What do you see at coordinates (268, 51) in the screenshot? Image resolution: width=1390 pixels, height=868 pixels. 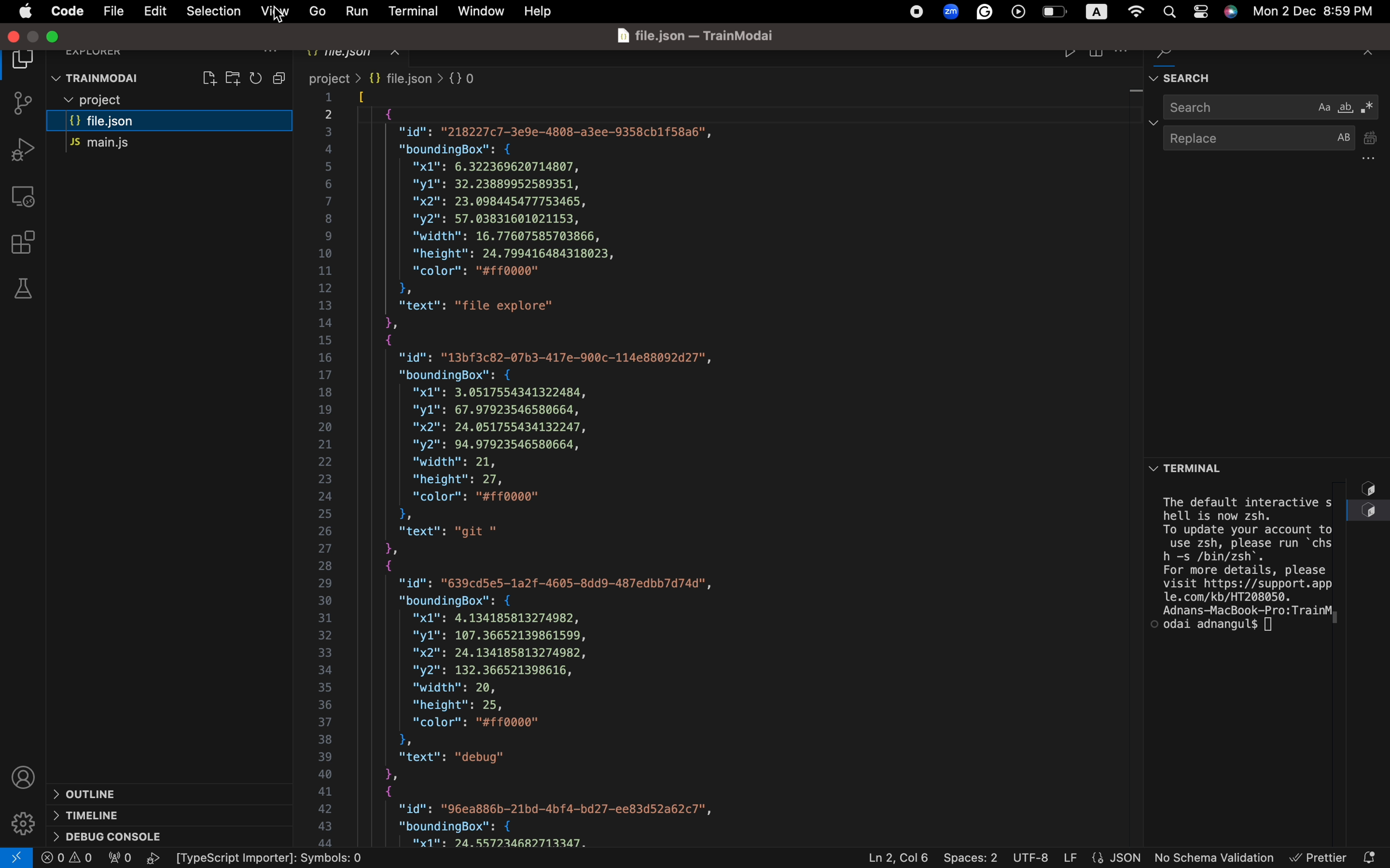 I see `file explorer settings` at bounding box center [268, 51].